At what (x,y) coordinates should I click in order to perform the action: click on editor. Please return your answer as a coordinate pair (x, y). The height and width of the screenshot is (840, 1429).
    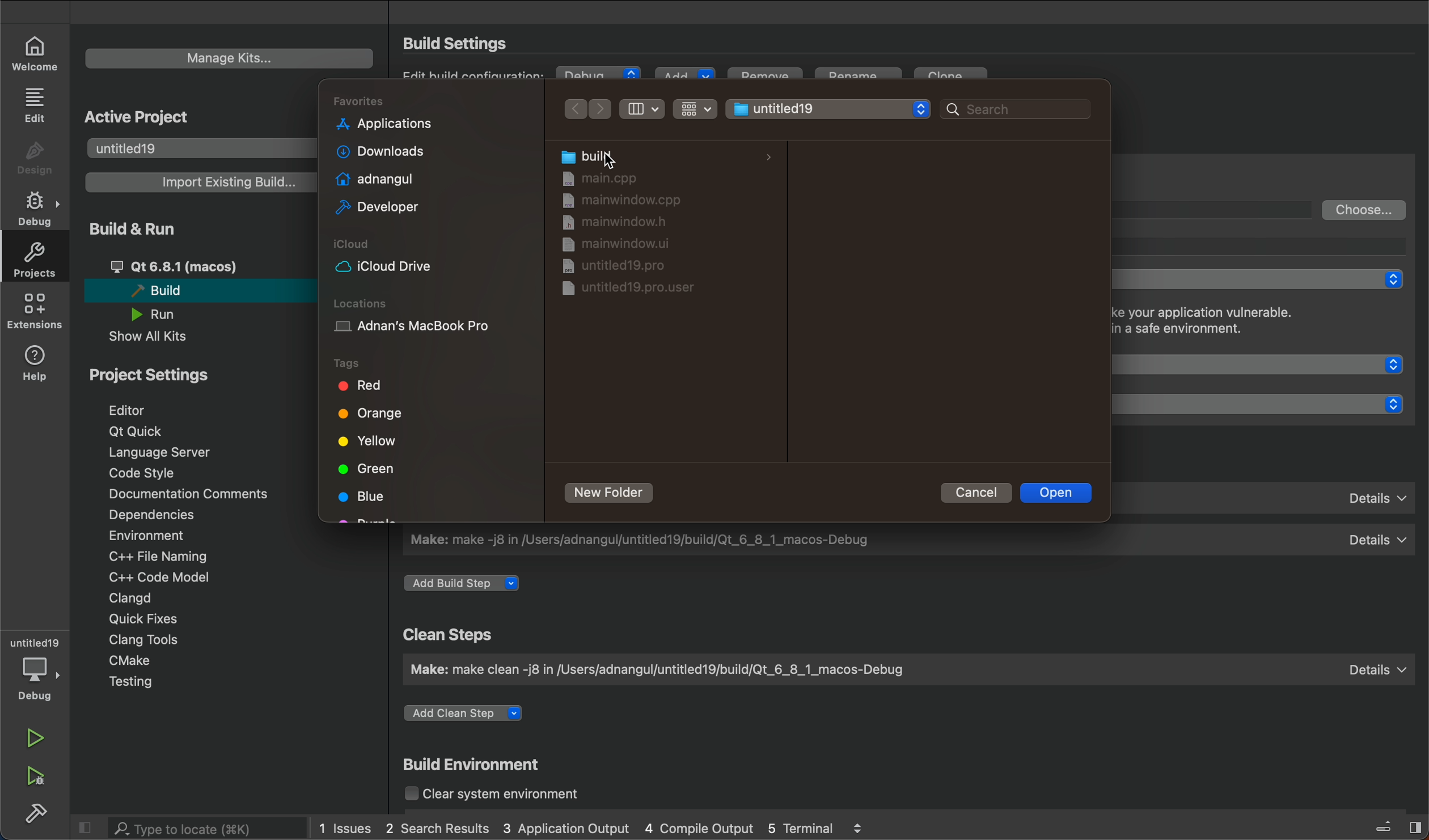
    Looking at the image, I should click on (144, 409).